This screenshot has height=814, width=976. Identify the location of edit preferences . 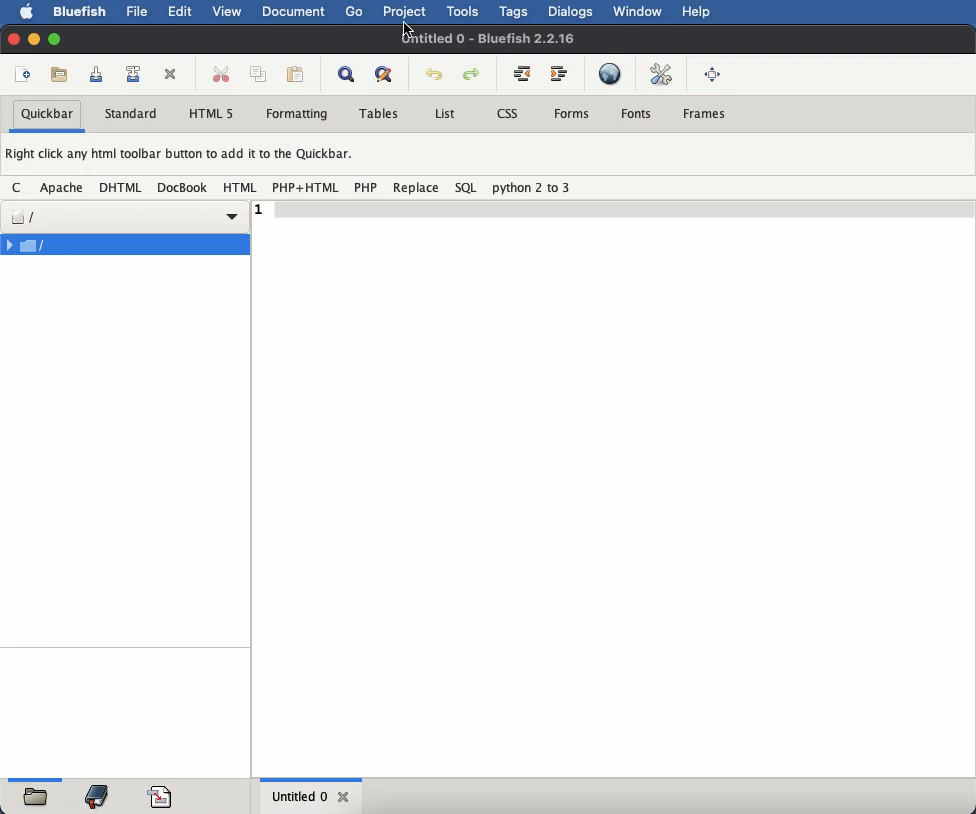
(662, 73).